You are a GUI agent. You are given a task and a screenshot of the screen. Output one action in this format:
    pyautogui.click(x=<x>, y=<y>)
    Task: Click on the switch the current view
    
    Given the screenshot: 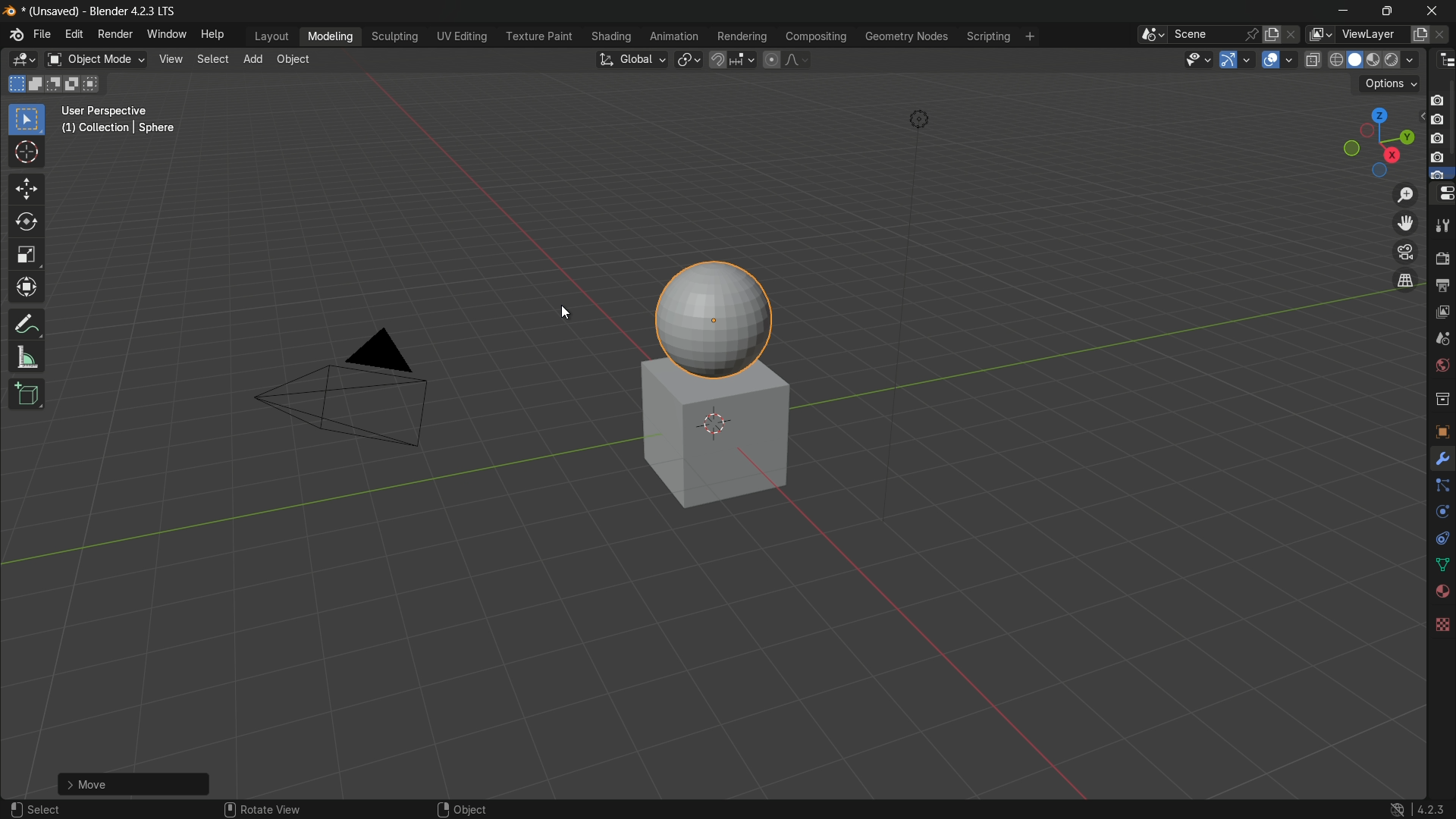 What is the action you would take?
    pyautogui.click(x=1404, y=280)
    